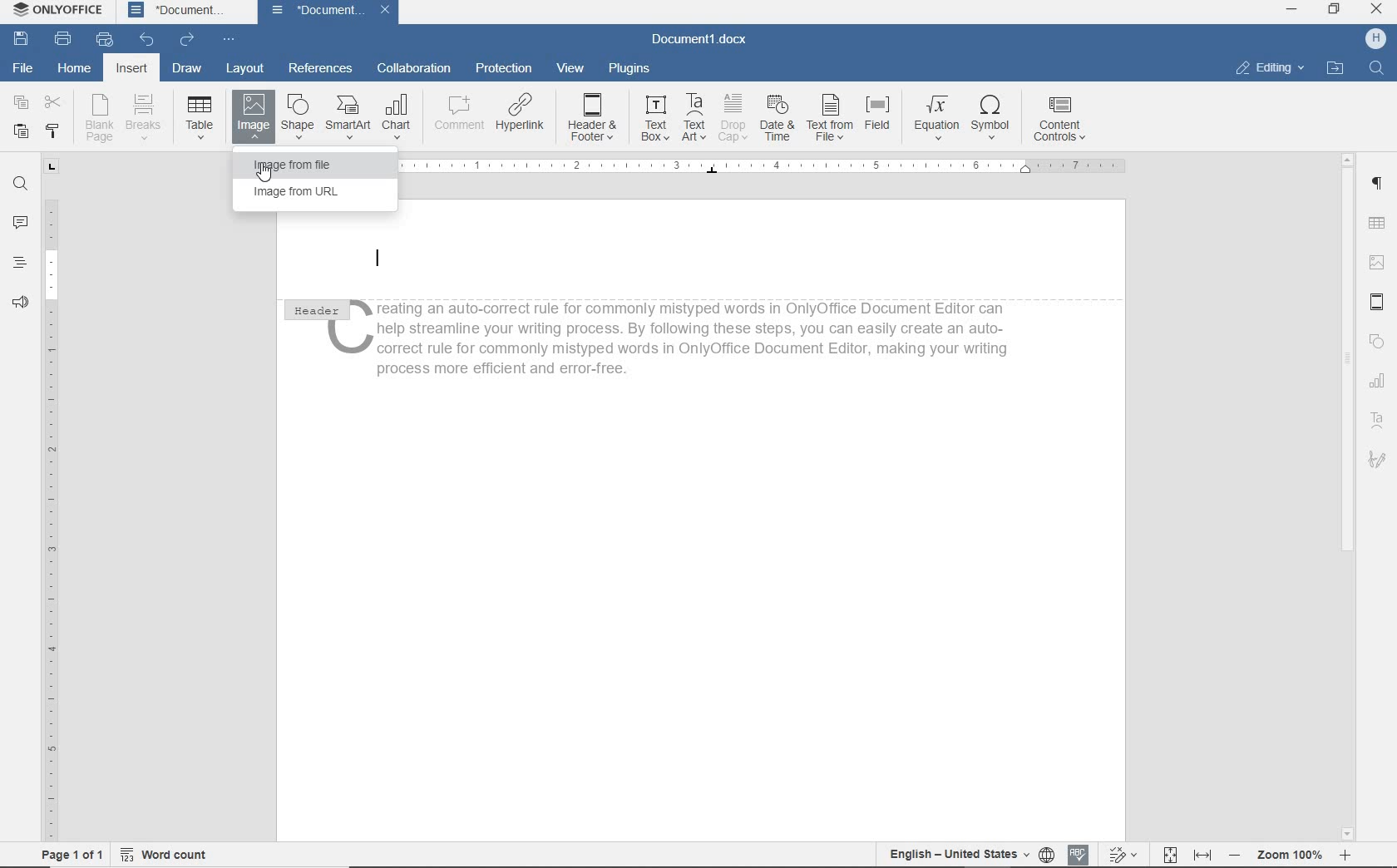  What do you see at coordinates (301, 117) in the screenshot?
I see `SHAPE` at bounding box center [301, 117].